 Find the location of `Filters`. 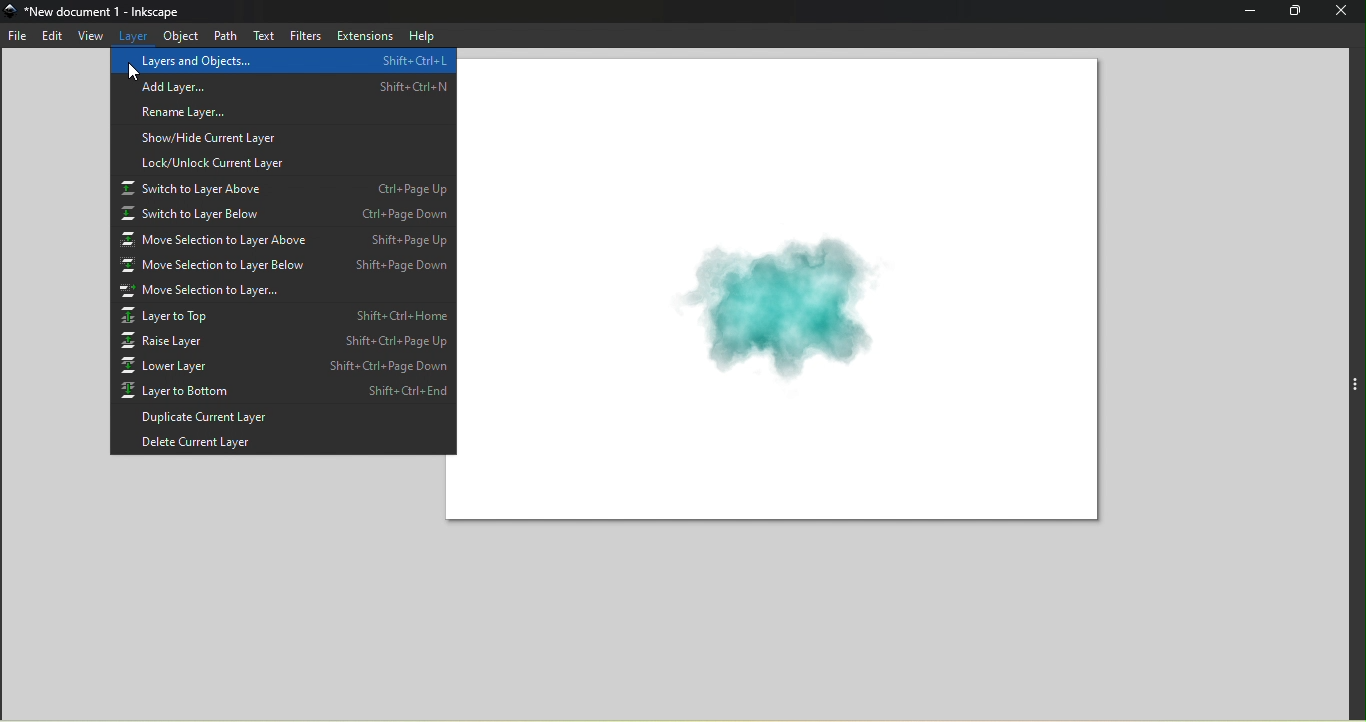

Filters is located at coordinates (305, 36).